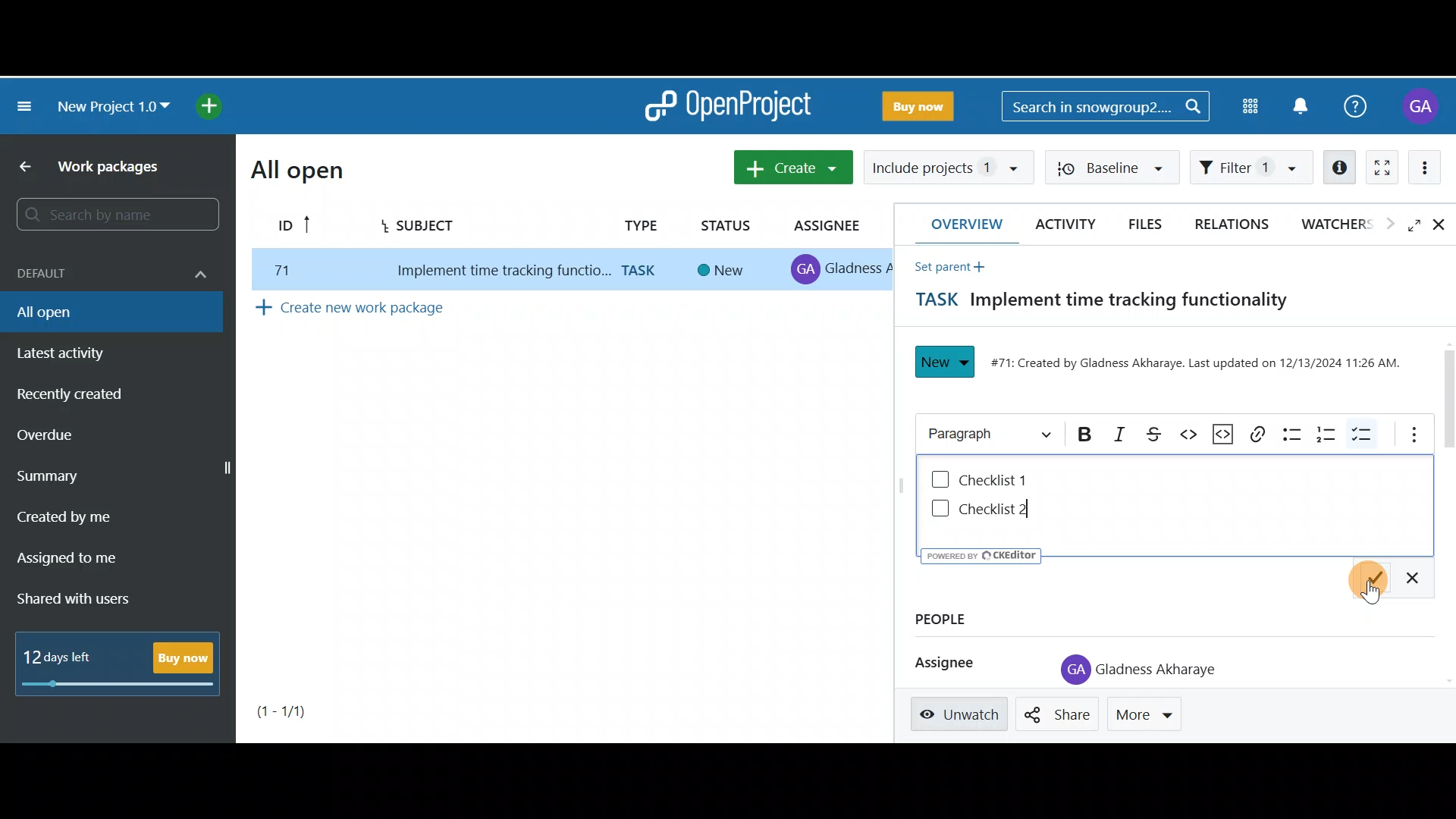  Describe the element at coordinates (108, 104) in the screenshot. I see `New project 1.0` at that location.